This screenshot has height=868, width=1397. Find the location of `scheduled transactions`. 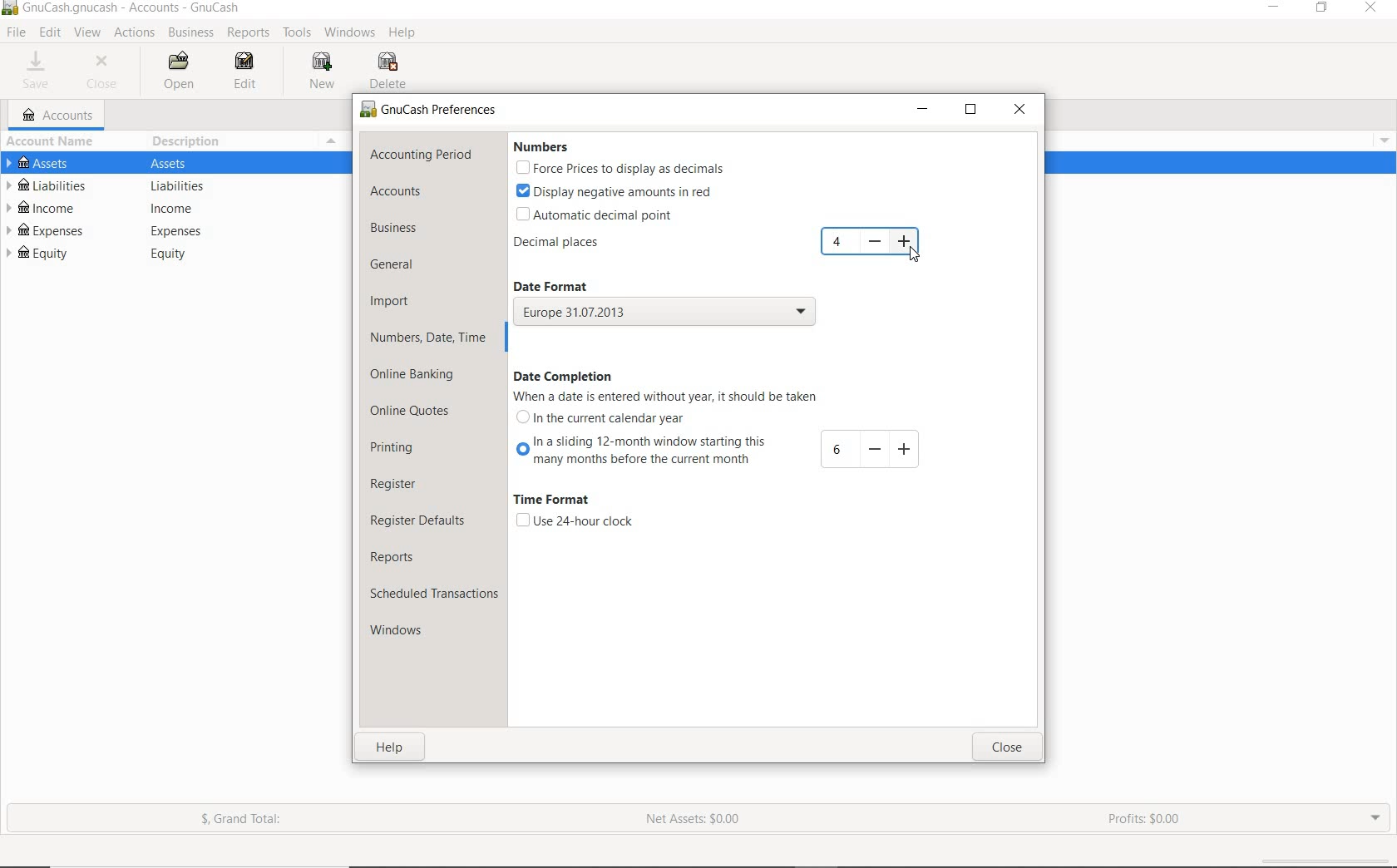

scheduled transactions is located at coordinates (433, 593).